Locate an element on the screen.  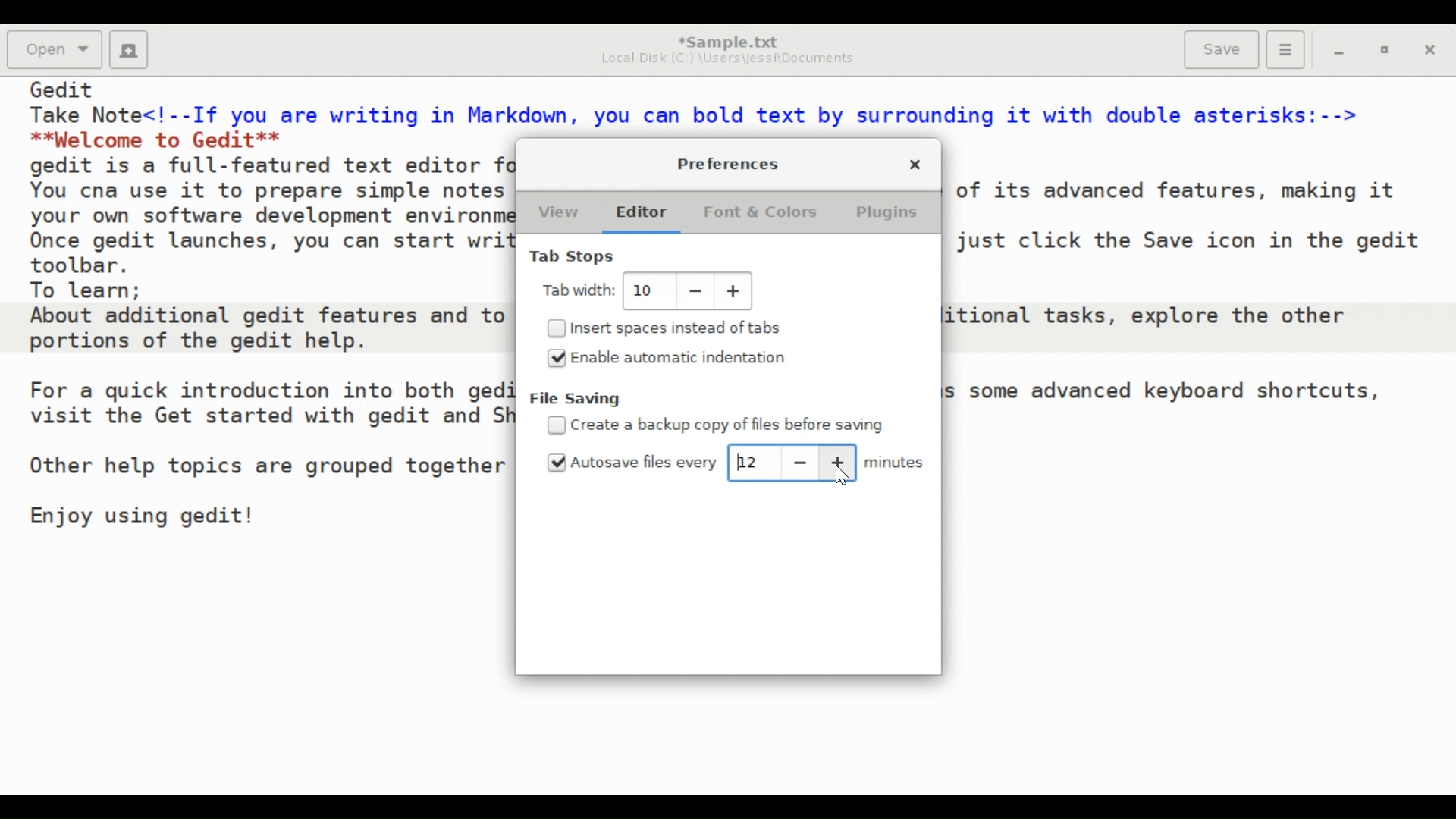
(un)select Enable automatic indentation is located at coordinates (674, 358).